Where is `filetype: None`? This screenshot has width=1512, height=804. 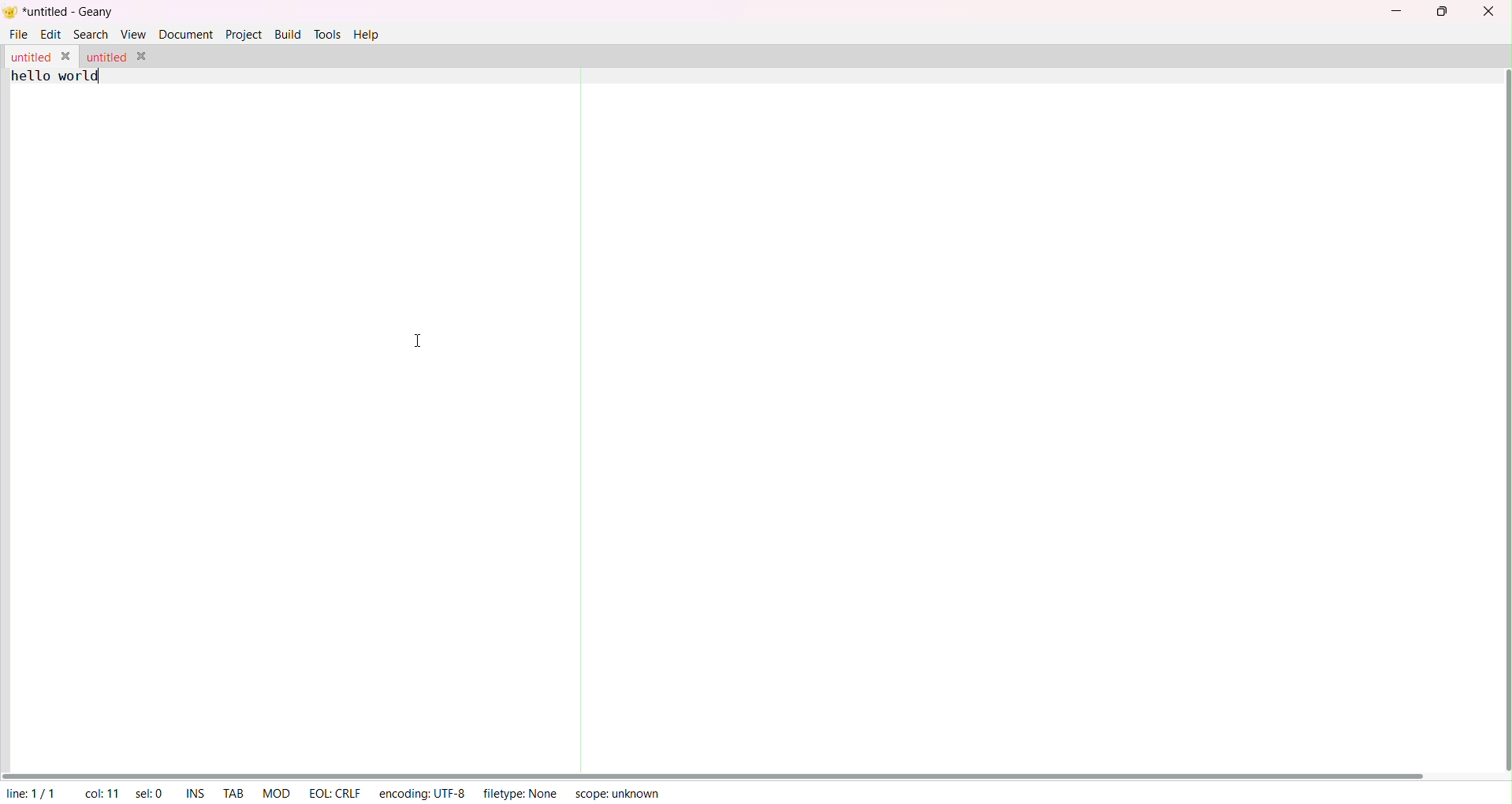 filetype: None is located at coordinates (522, 794).